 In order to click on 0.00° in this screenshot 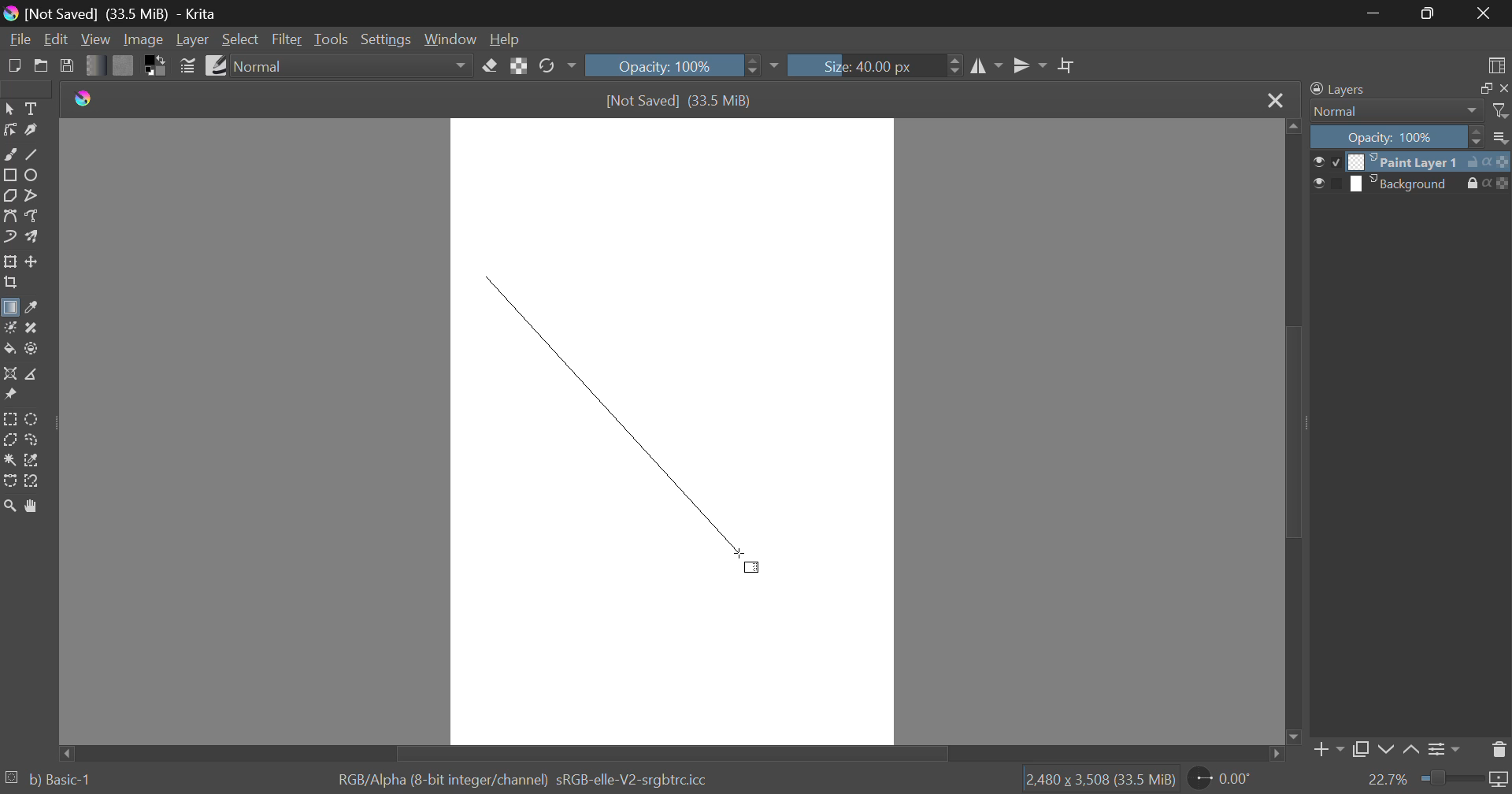, I will do `click(1229, 777)`.